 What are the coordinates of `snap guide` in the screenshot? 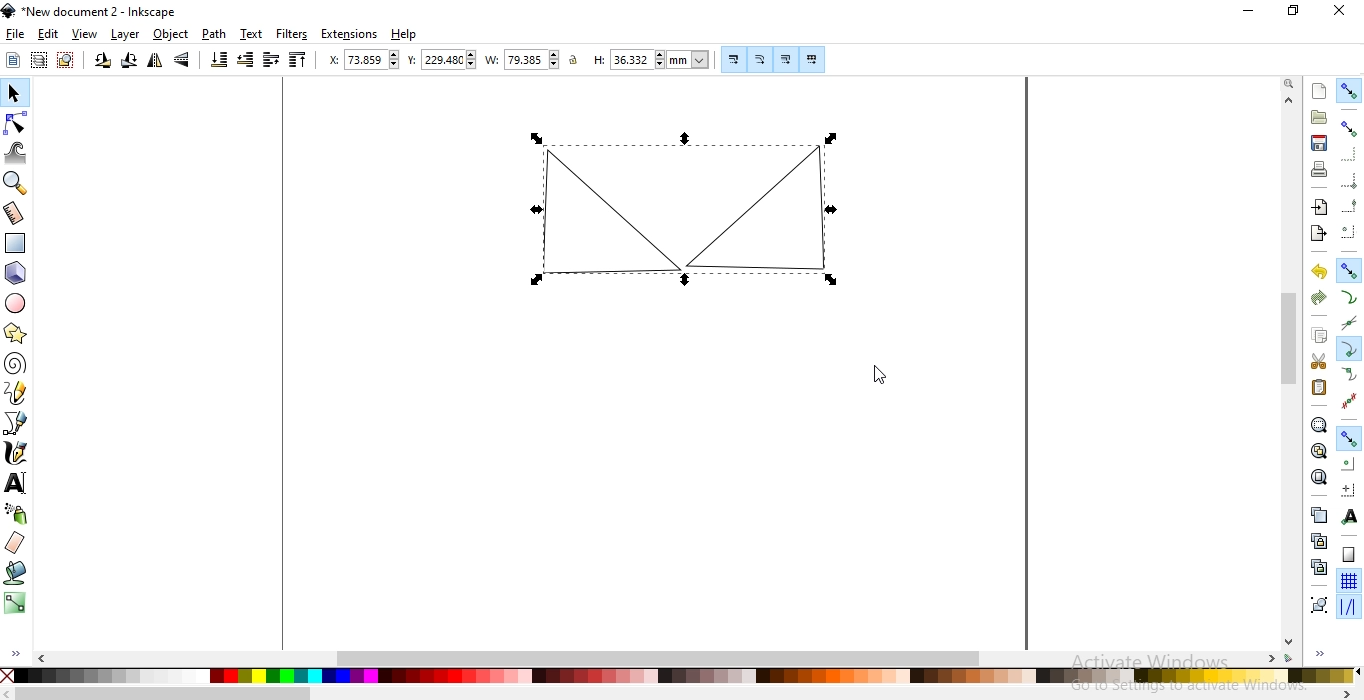 It's located at (1350, 607).